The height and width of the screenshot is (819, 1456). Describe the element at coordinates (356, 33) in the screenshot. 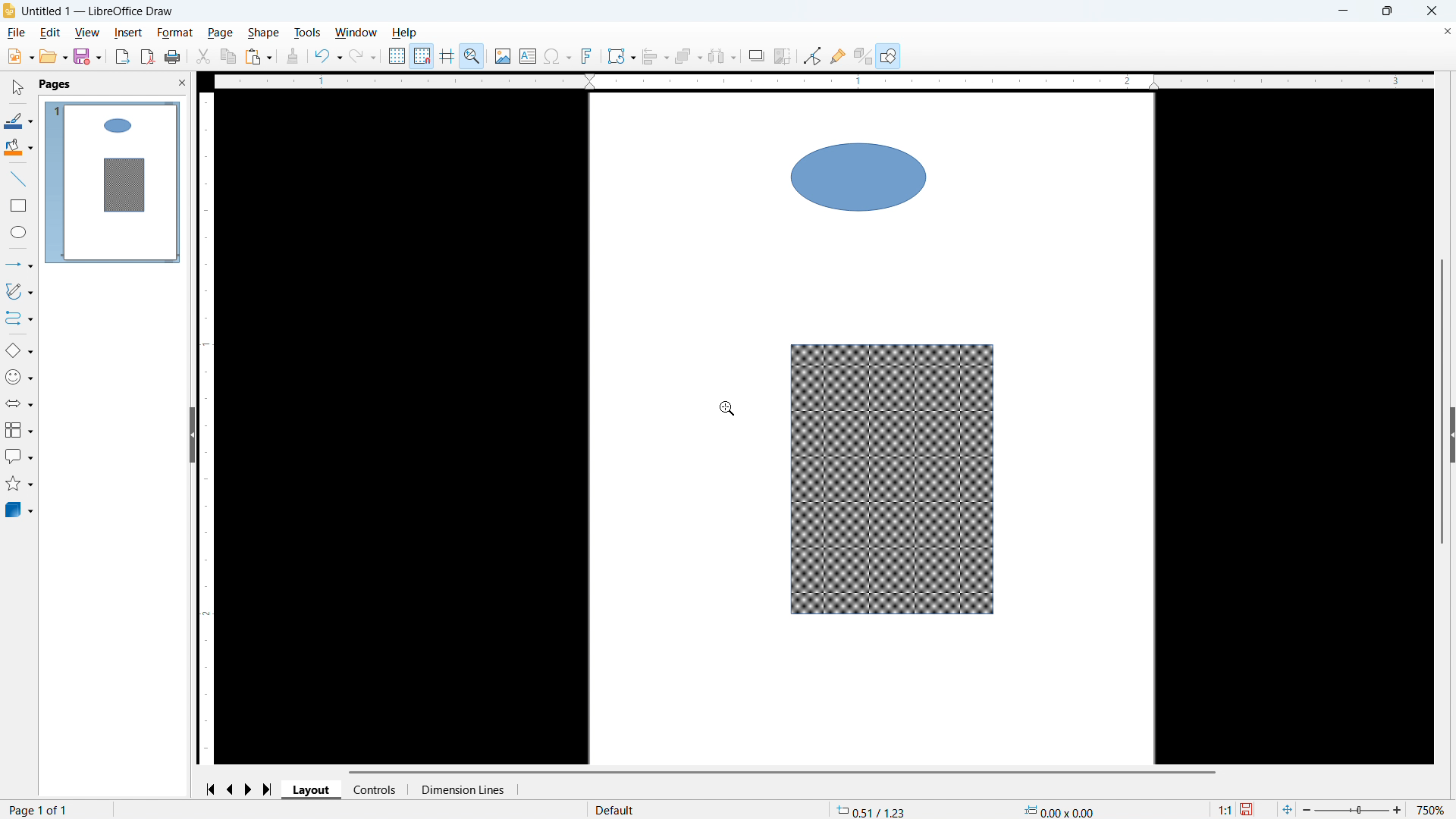

I see `Window ` at that location.